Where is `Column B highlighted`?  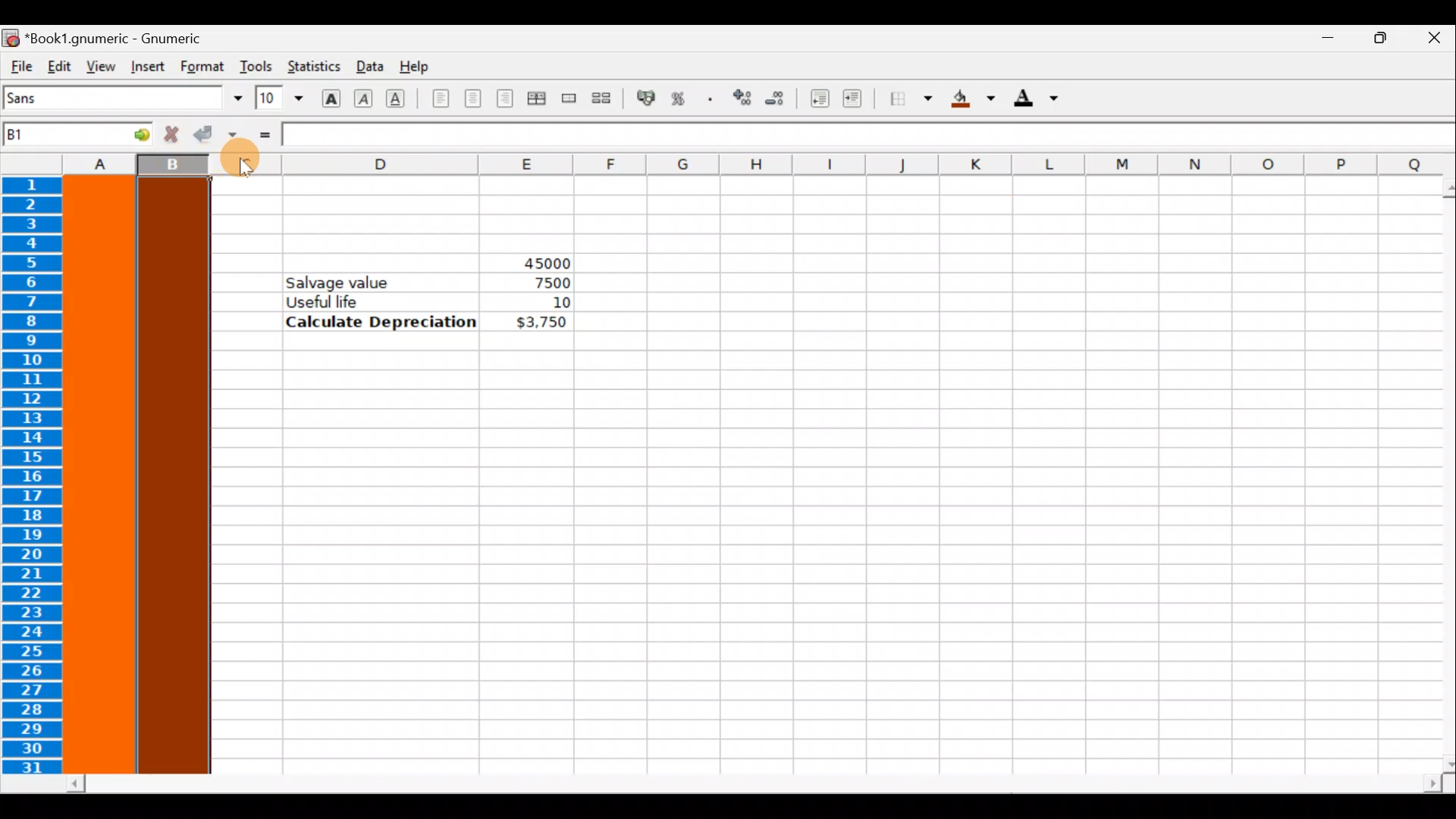 Column B highlighted is located at coordinates (177, 476).